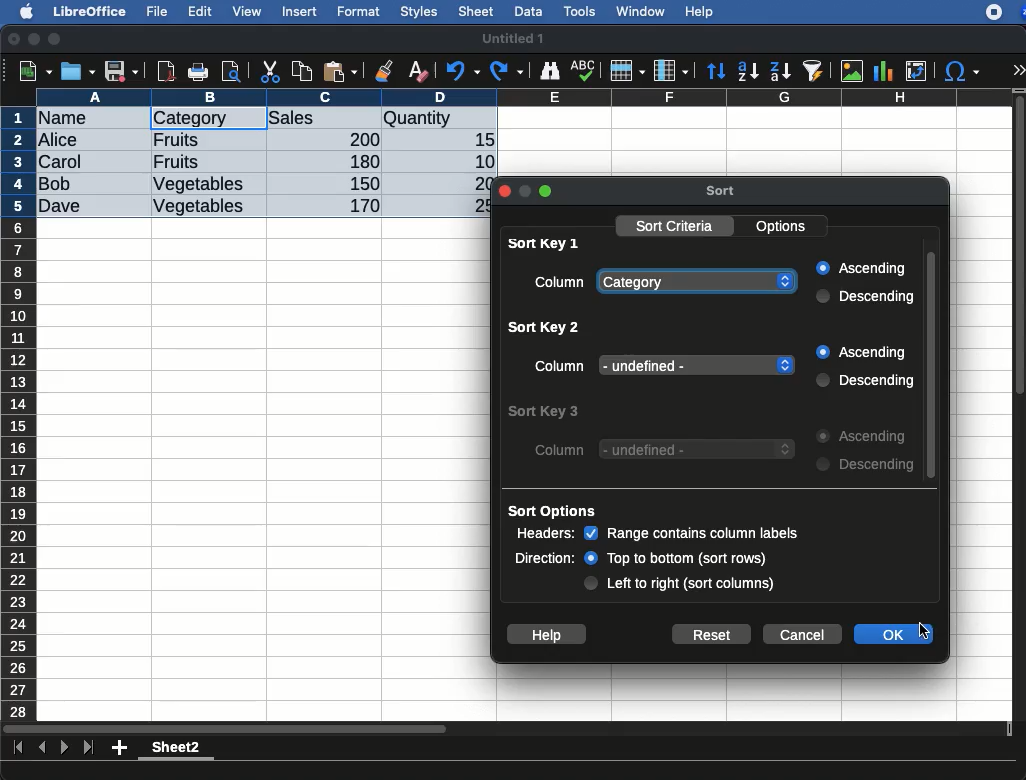  Describe the element at coordinates (544, 412) in the screenshot. I see `sort key 3` at that location.